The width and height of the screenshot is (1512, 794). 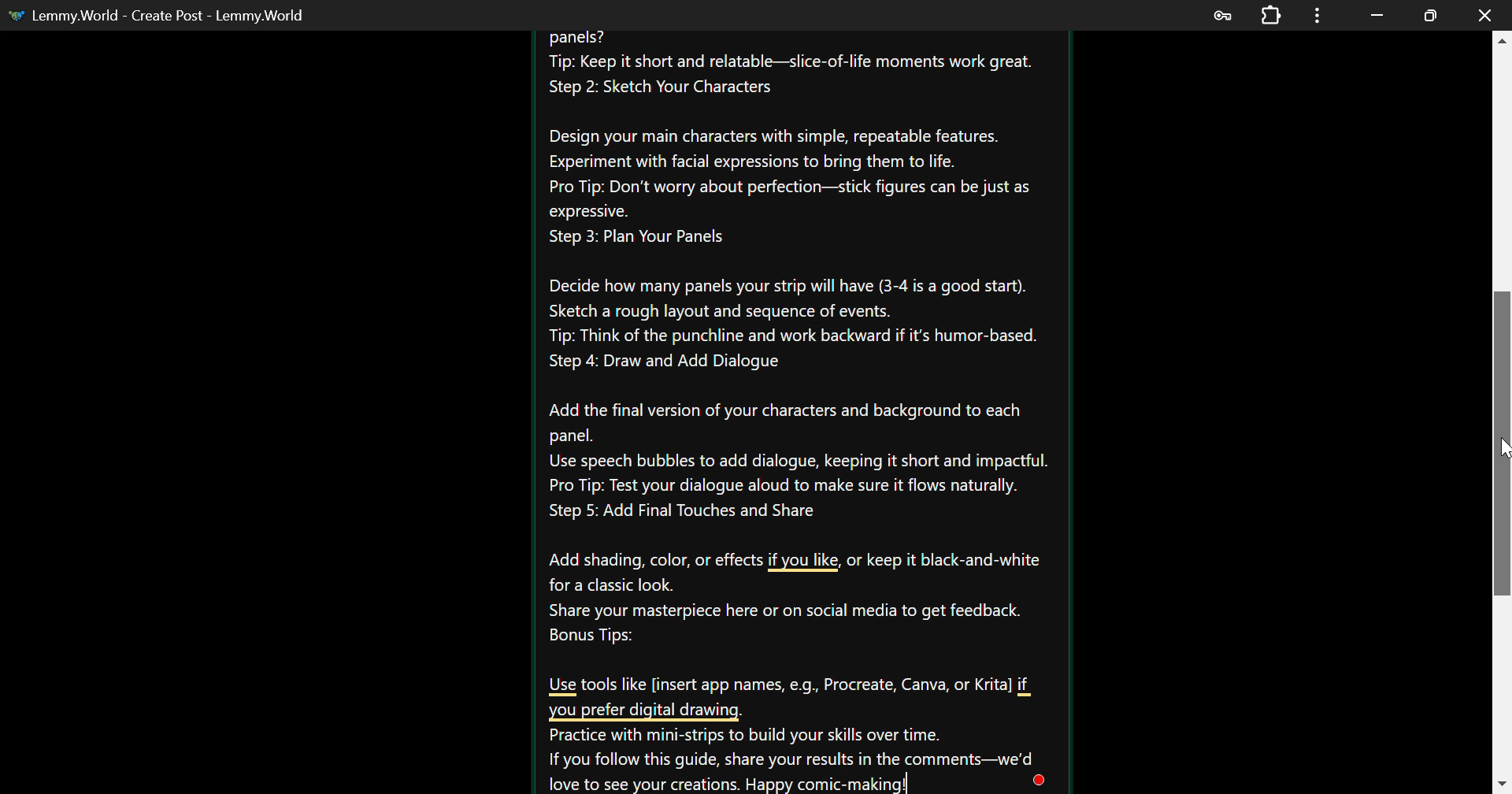 What do you see at coordinates (1488, 15) in the screenshot?
I see `Close Window` at bounding box center [1488, 15].